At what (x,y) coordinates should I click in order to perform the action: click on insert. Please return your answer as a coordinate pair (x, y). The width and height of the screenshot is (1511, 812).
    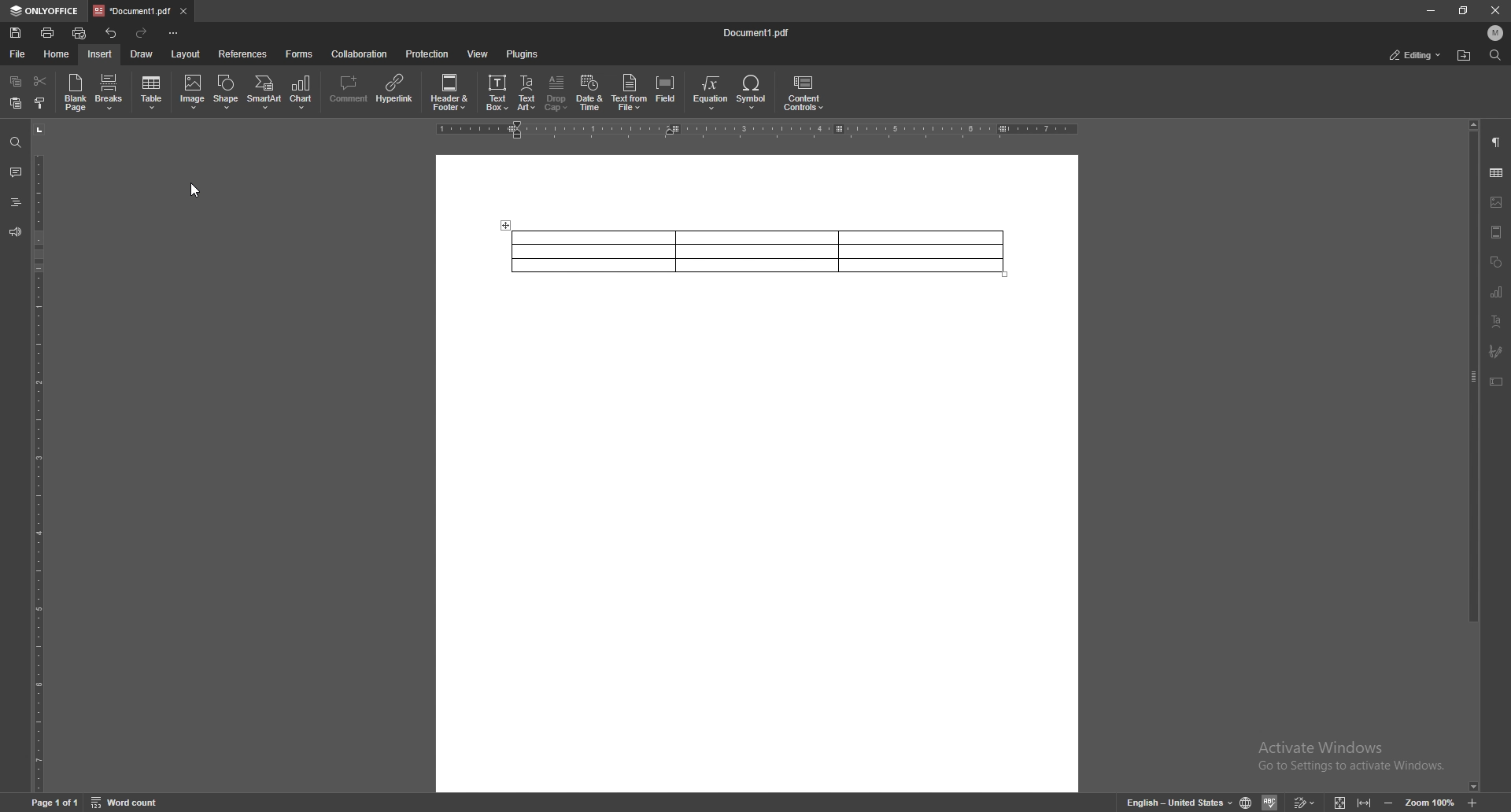
    Looking at the image, I should click on (100, 54).